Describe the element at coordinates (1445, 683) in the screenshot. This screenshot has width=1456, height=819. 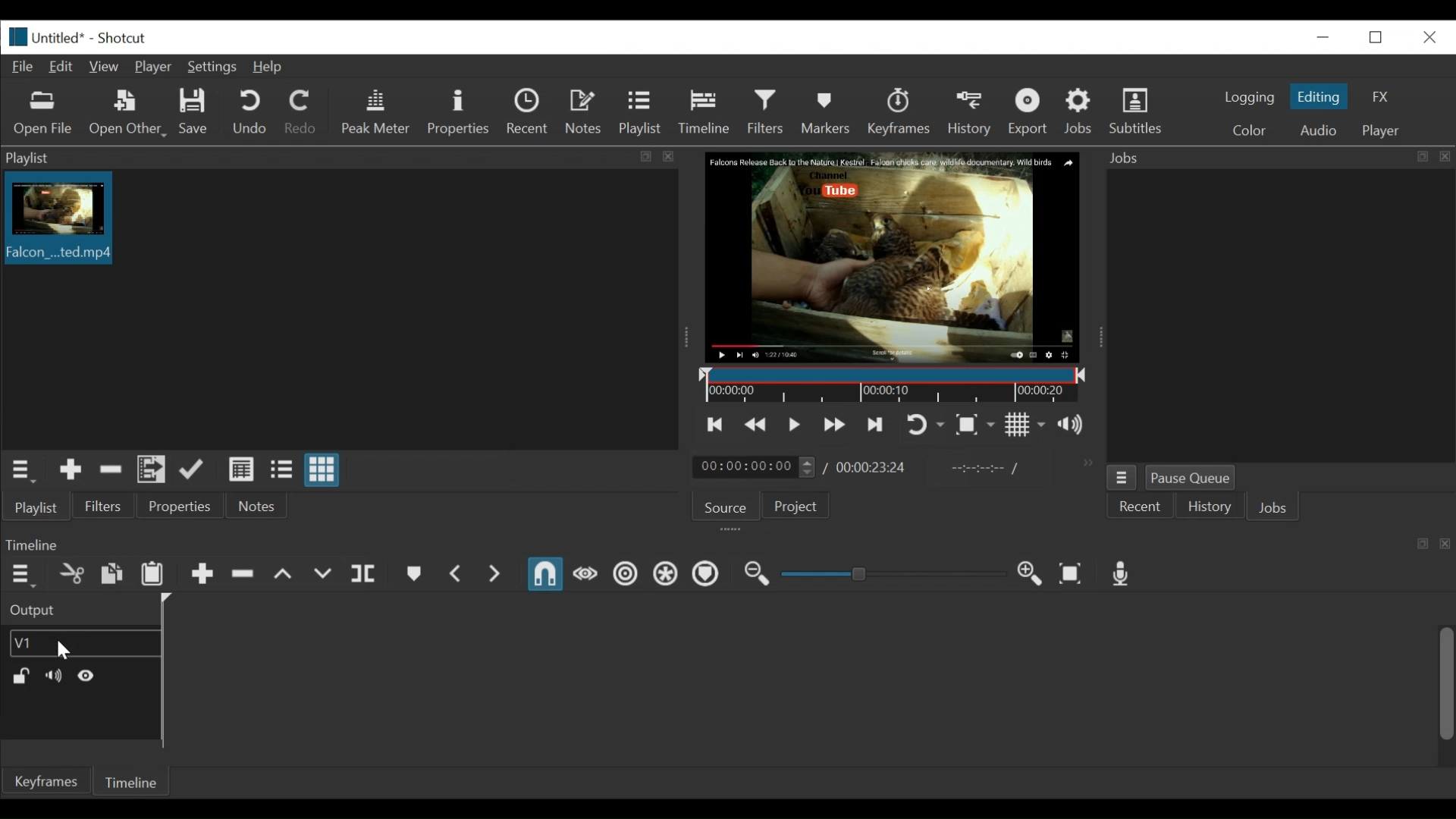
I see `Vertical Scroll bar` at that location.